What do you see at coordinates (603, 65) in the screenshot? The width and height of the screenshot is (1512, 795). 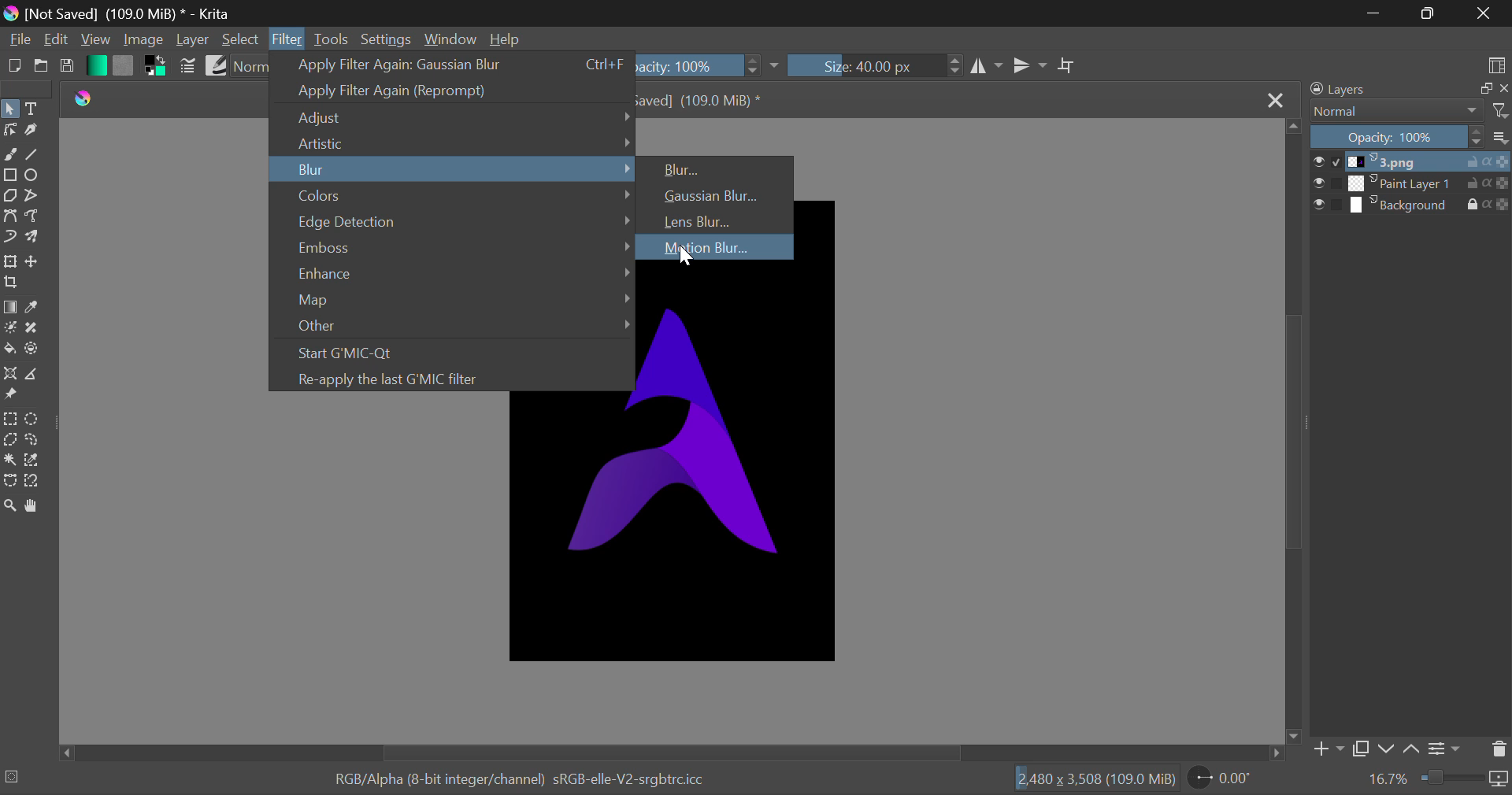 I see `Ctrl+F` at bounding box center [603, 65].